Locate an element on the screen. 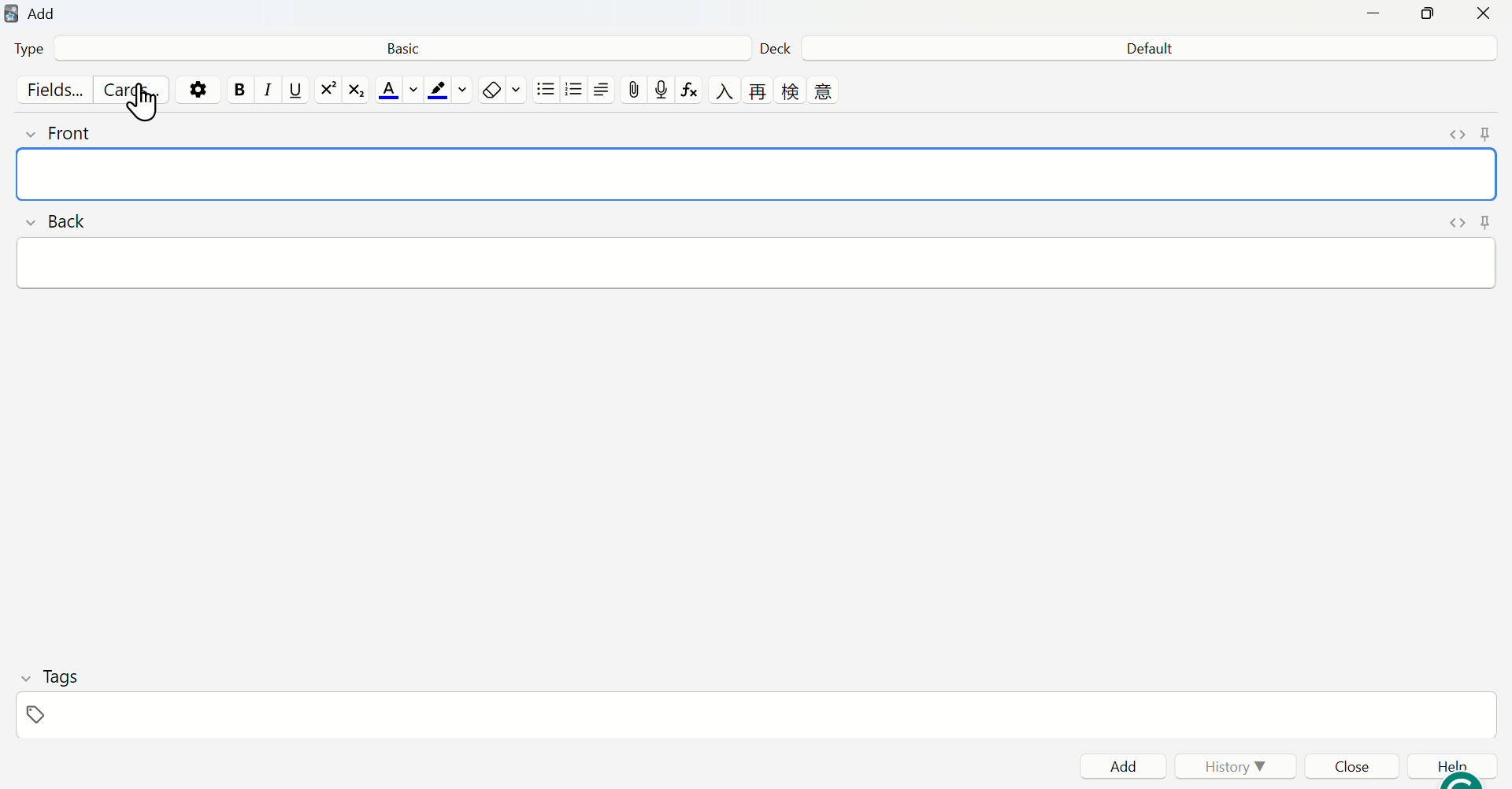  Close is located at coordinates (1487, 13).